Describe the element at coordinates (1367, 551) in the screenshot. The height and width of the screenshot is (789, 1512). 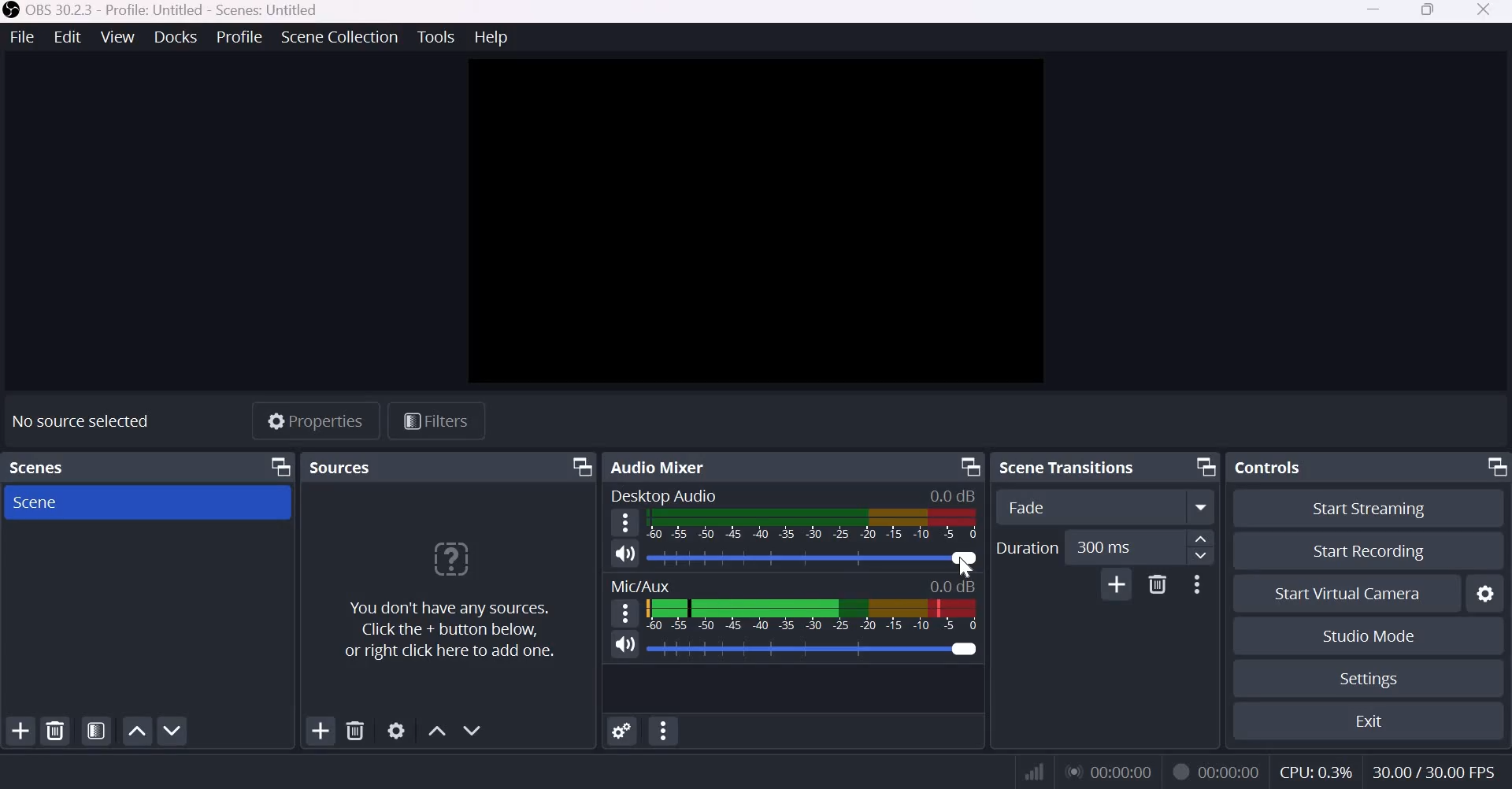
I see `Start recording` at that location.